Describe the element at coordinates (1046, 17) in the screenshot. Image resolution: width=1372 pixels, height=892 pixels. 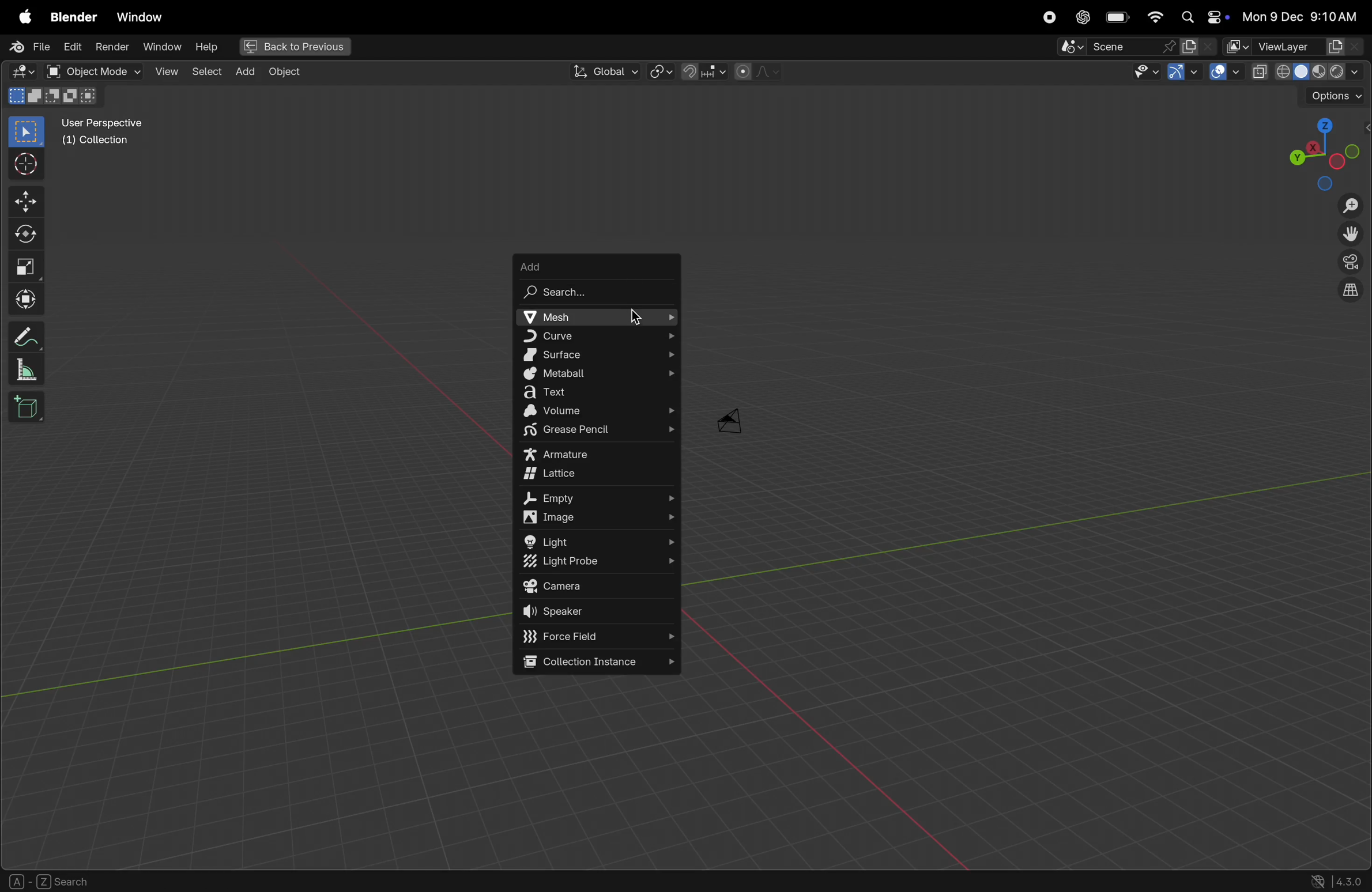
I see `record` at that location.